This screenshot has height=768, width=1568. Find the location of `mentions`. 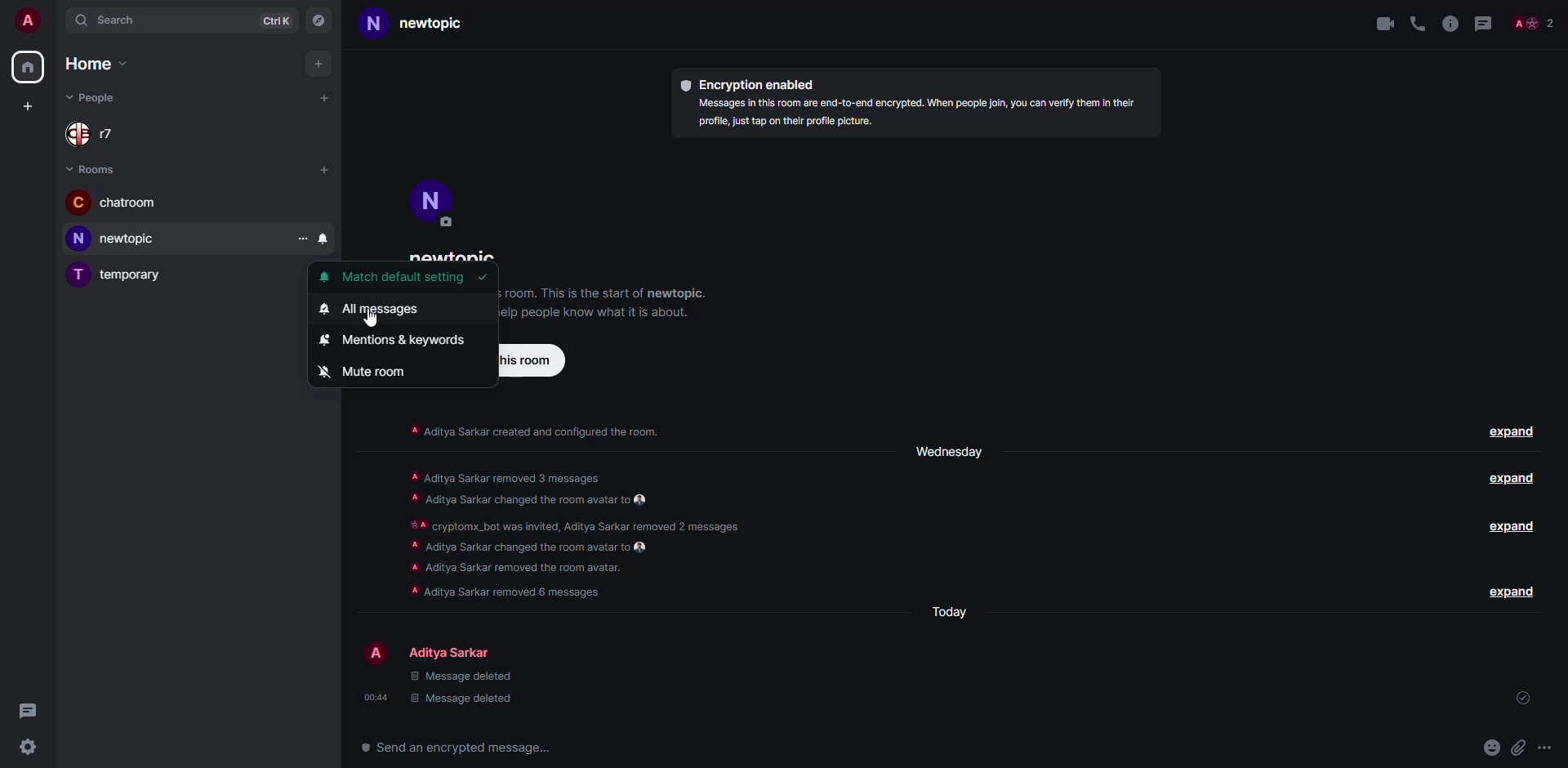

mentions is located at coordinates (394, 340).